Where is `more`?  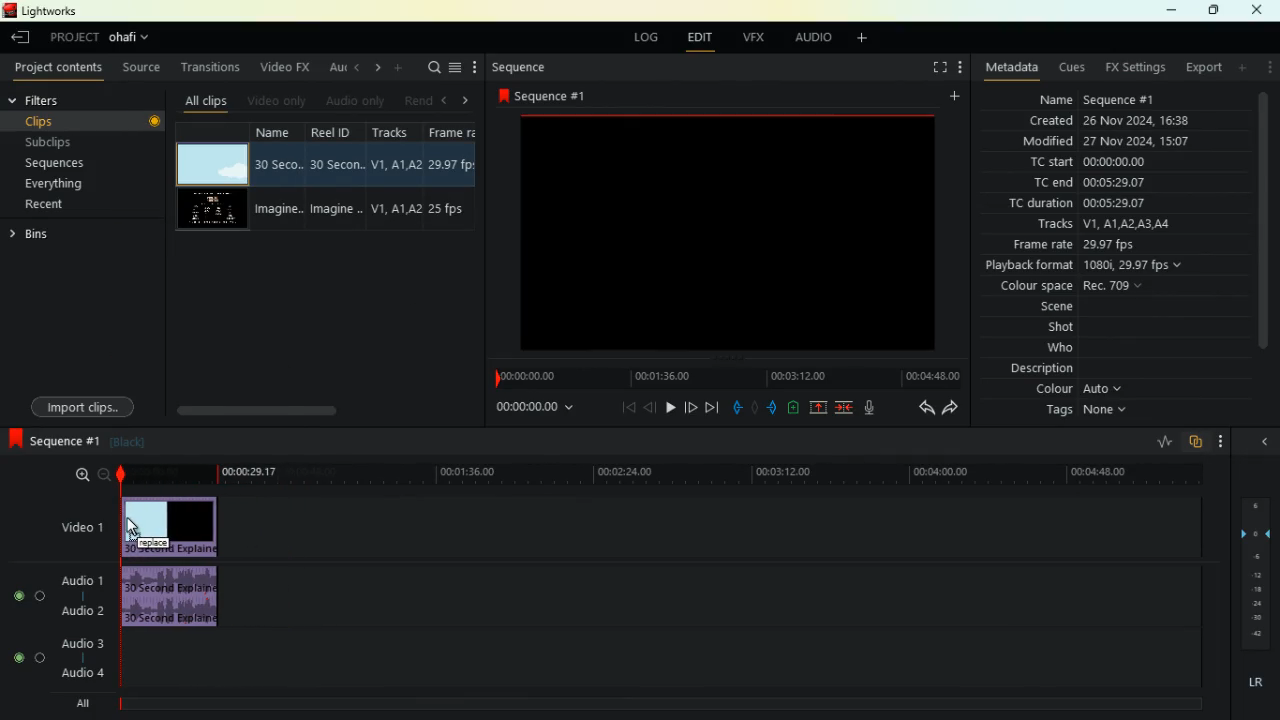 more is located at coordinates (476, 67).